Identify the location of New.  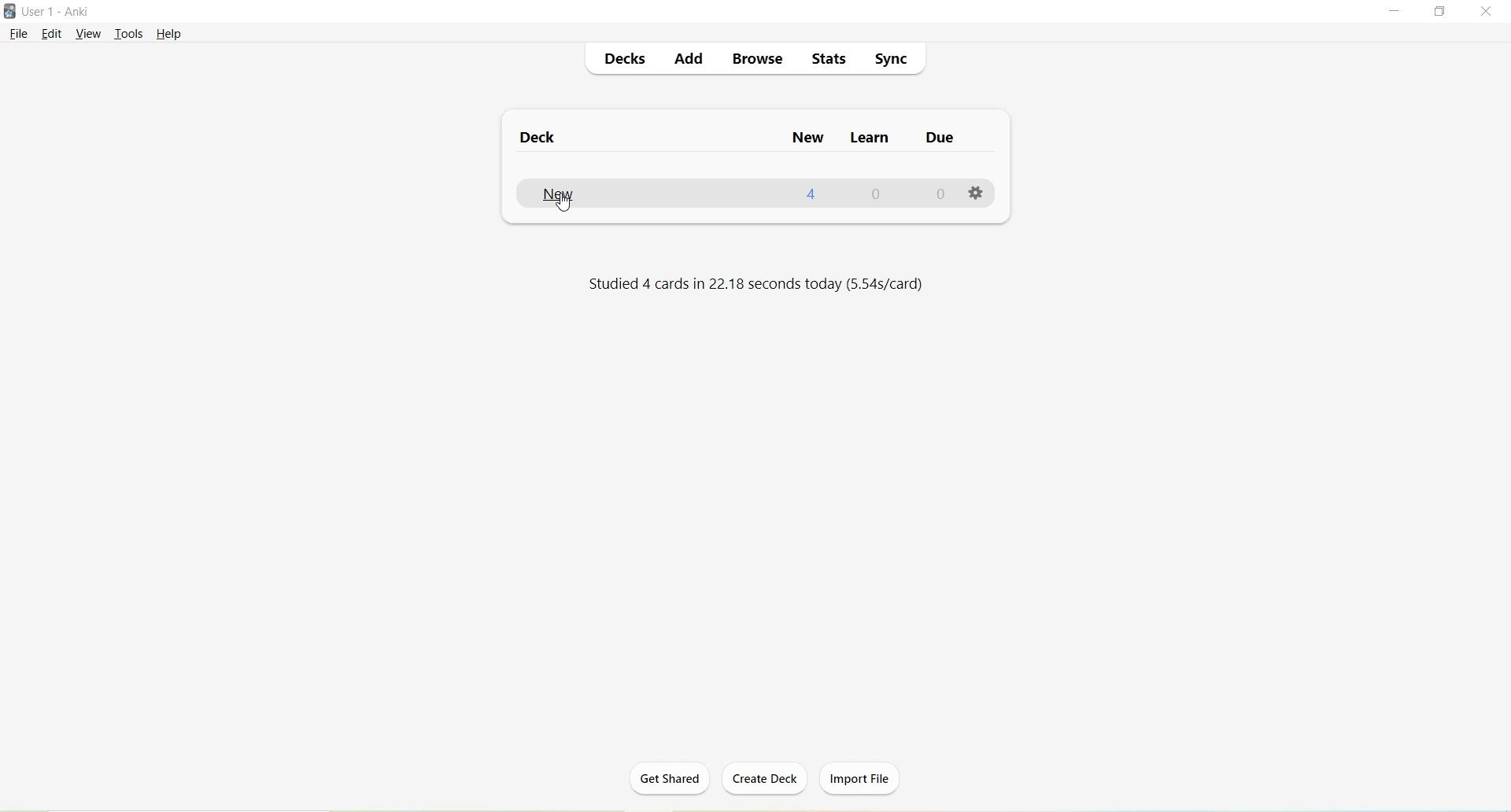
(808, 138).